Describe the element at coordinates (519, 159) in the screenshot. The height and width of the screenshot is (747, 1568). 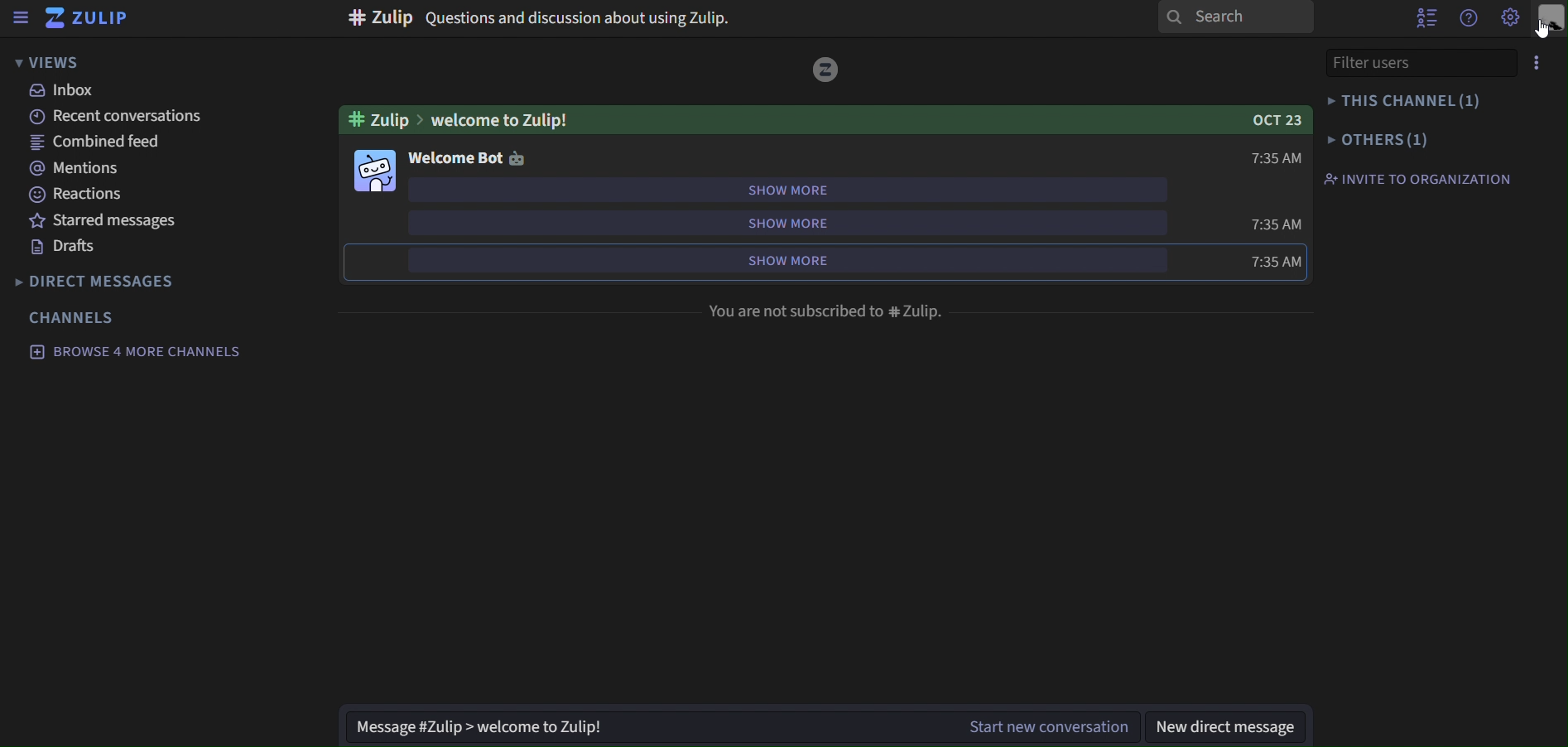
I see `icon` at that location.